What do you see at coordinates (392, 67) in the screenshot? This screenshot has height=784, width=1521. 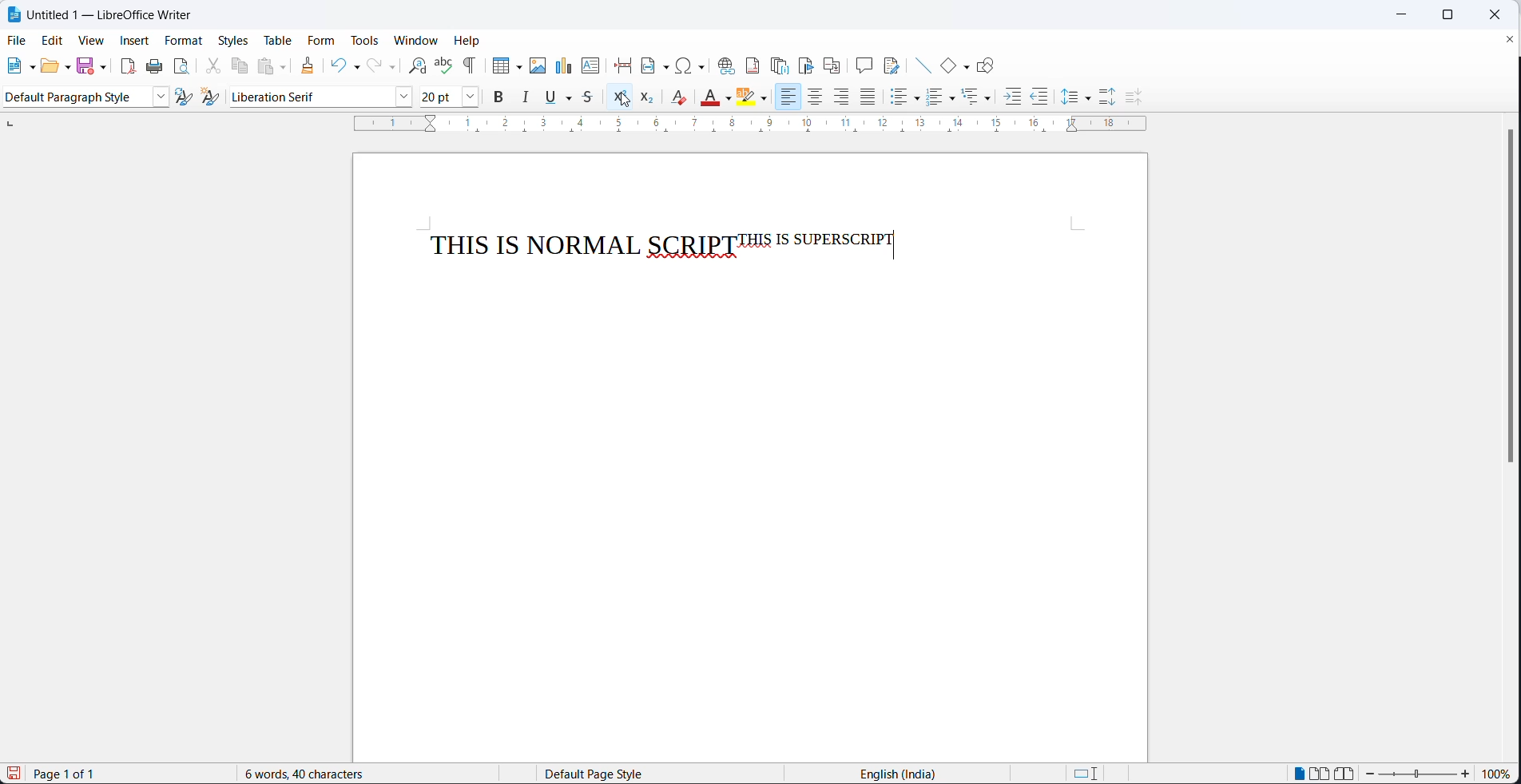 I see `redo options` at bounding box center [392, 67].